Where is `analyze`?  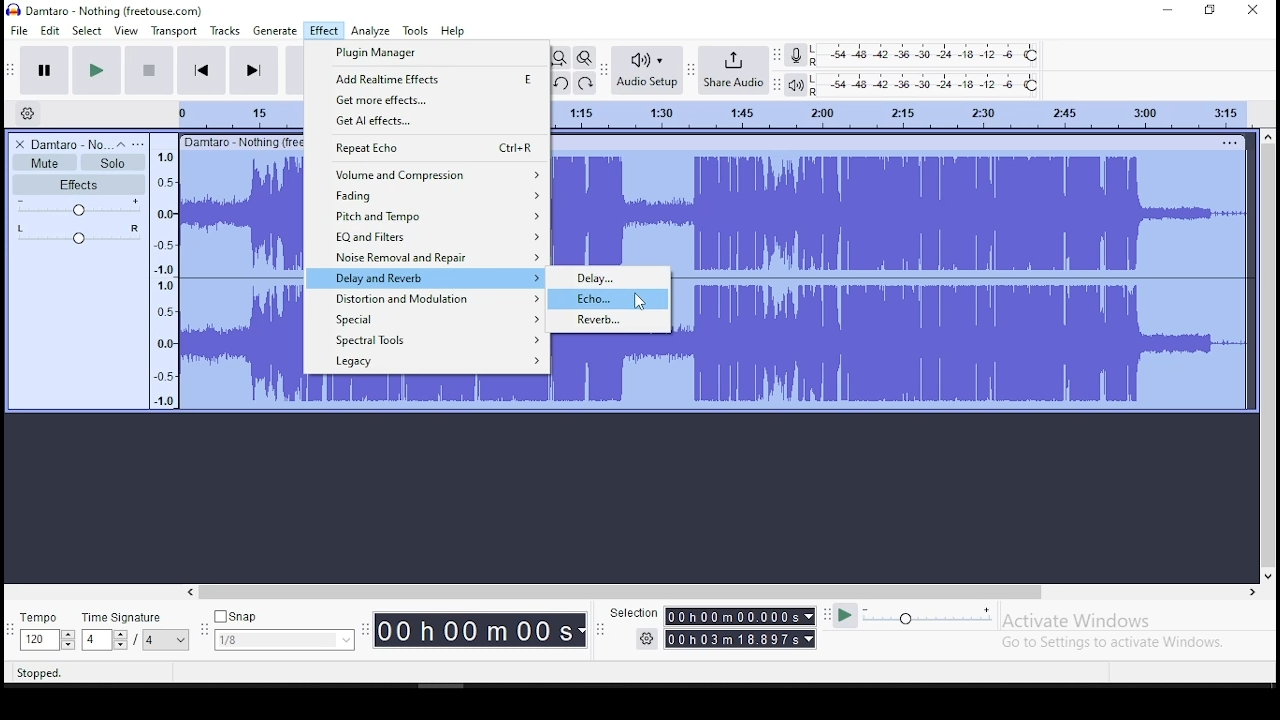
analyze is located at coordinates (370, 32).